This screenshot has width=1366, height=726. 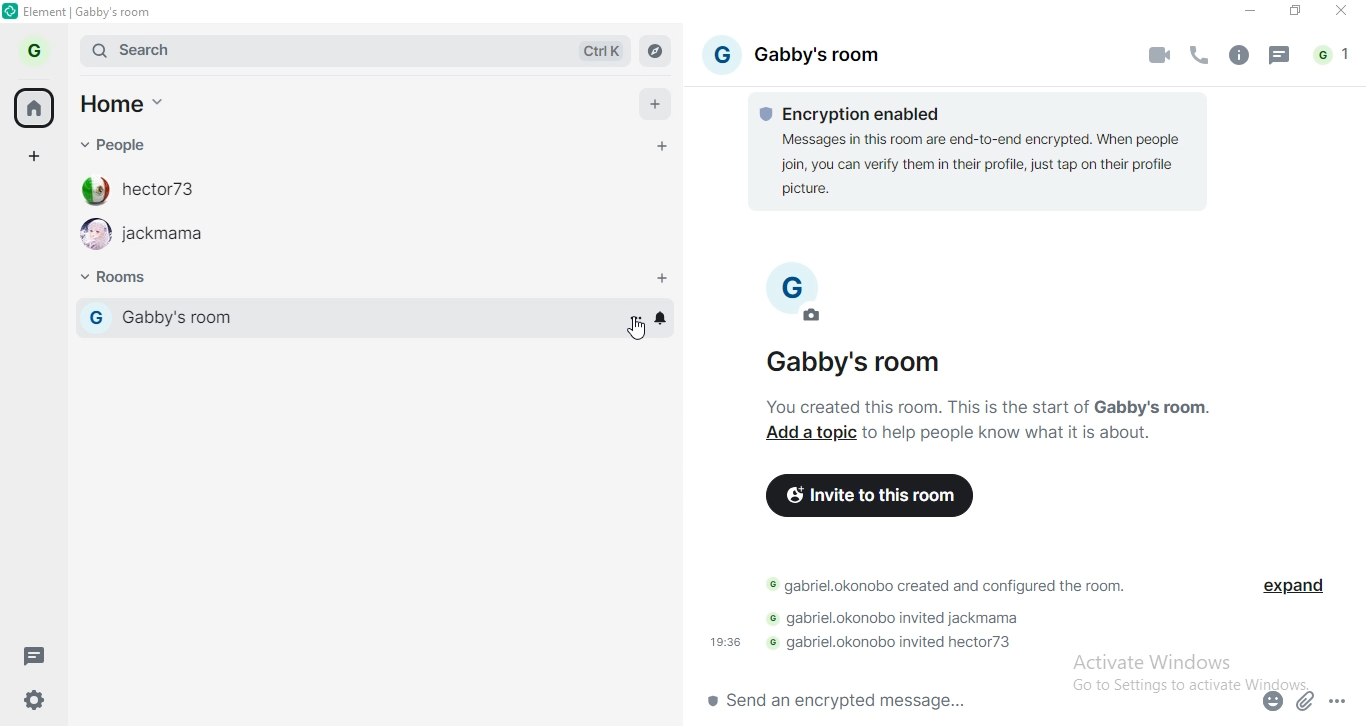 I want to click on , so click(x=4356, y=155).